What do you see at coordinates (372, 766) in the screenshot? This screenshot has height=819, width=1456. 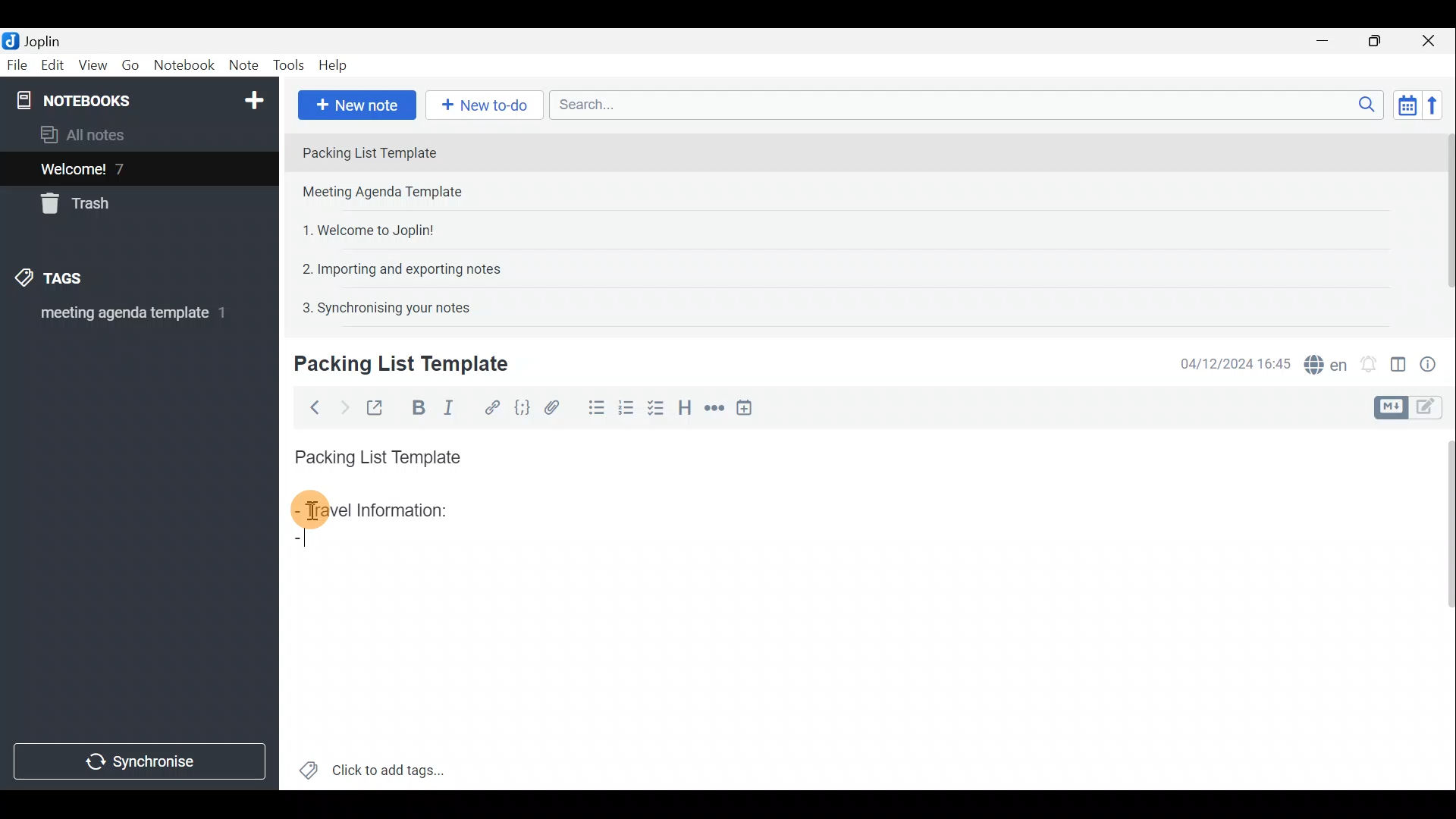 I see `Click to add tags` at bounding box center [372, 766].